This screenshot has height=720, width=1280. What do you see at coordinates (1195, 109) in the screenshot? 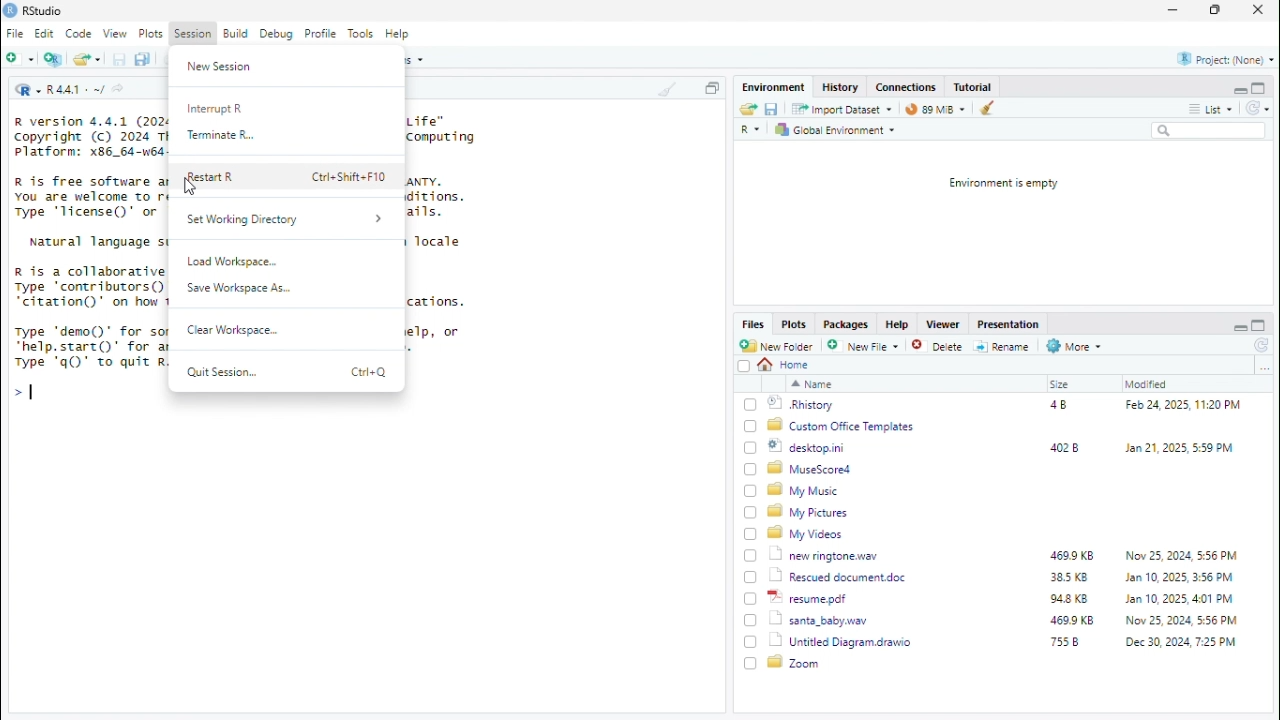
I see `more` at bounding box center [1195, 109].